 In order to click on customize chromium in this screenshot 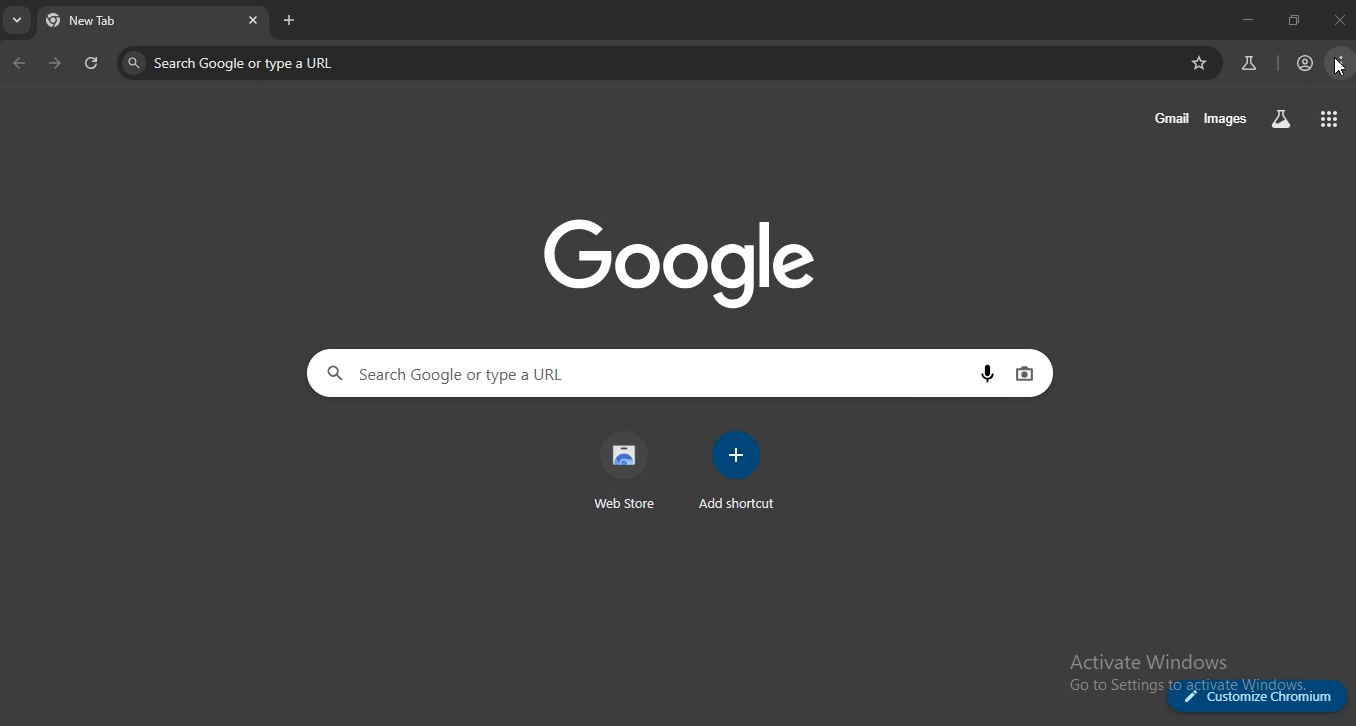, I will do `click(1256, 694)`.